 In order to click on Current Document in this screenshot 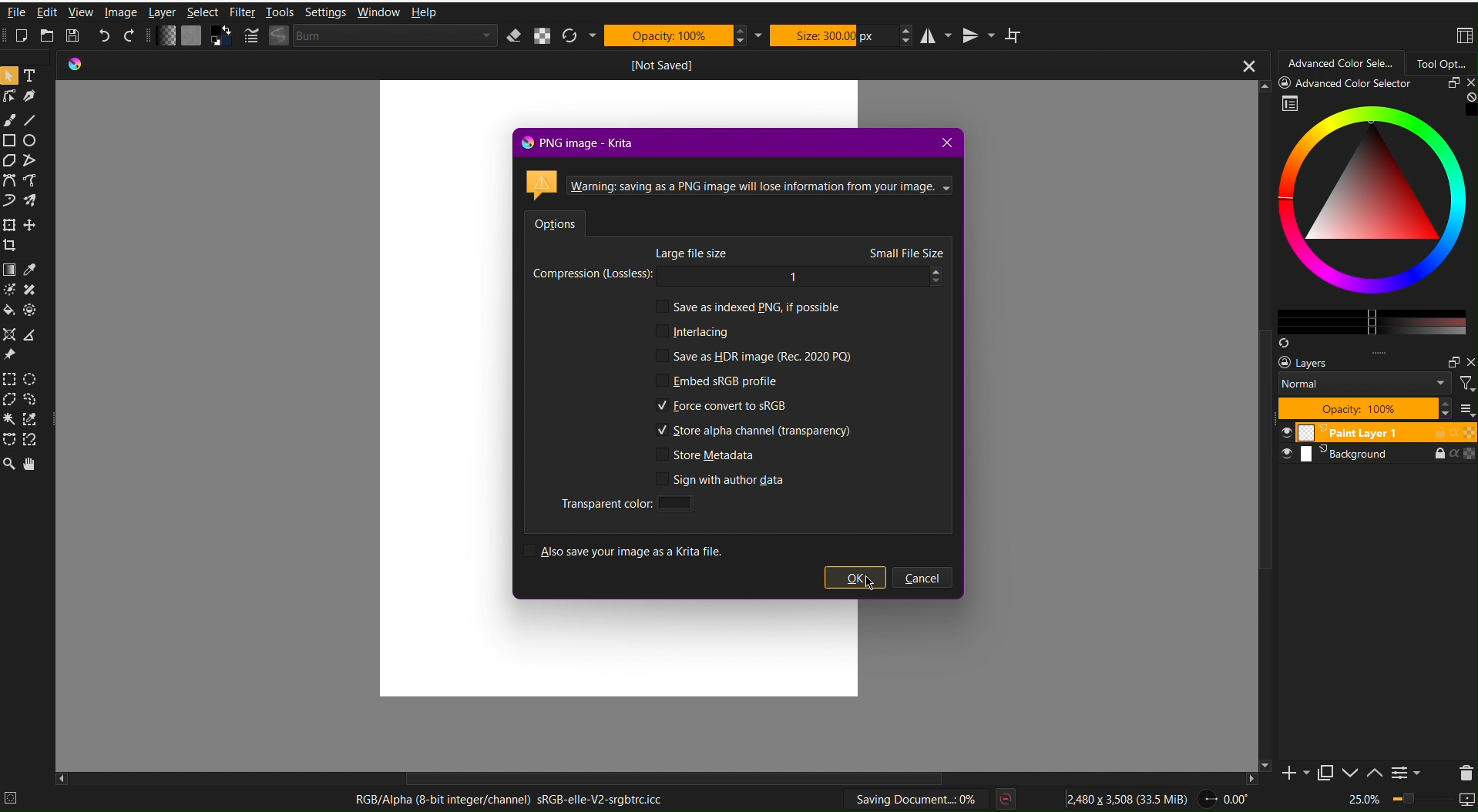, I will do `click(661, 65)`.